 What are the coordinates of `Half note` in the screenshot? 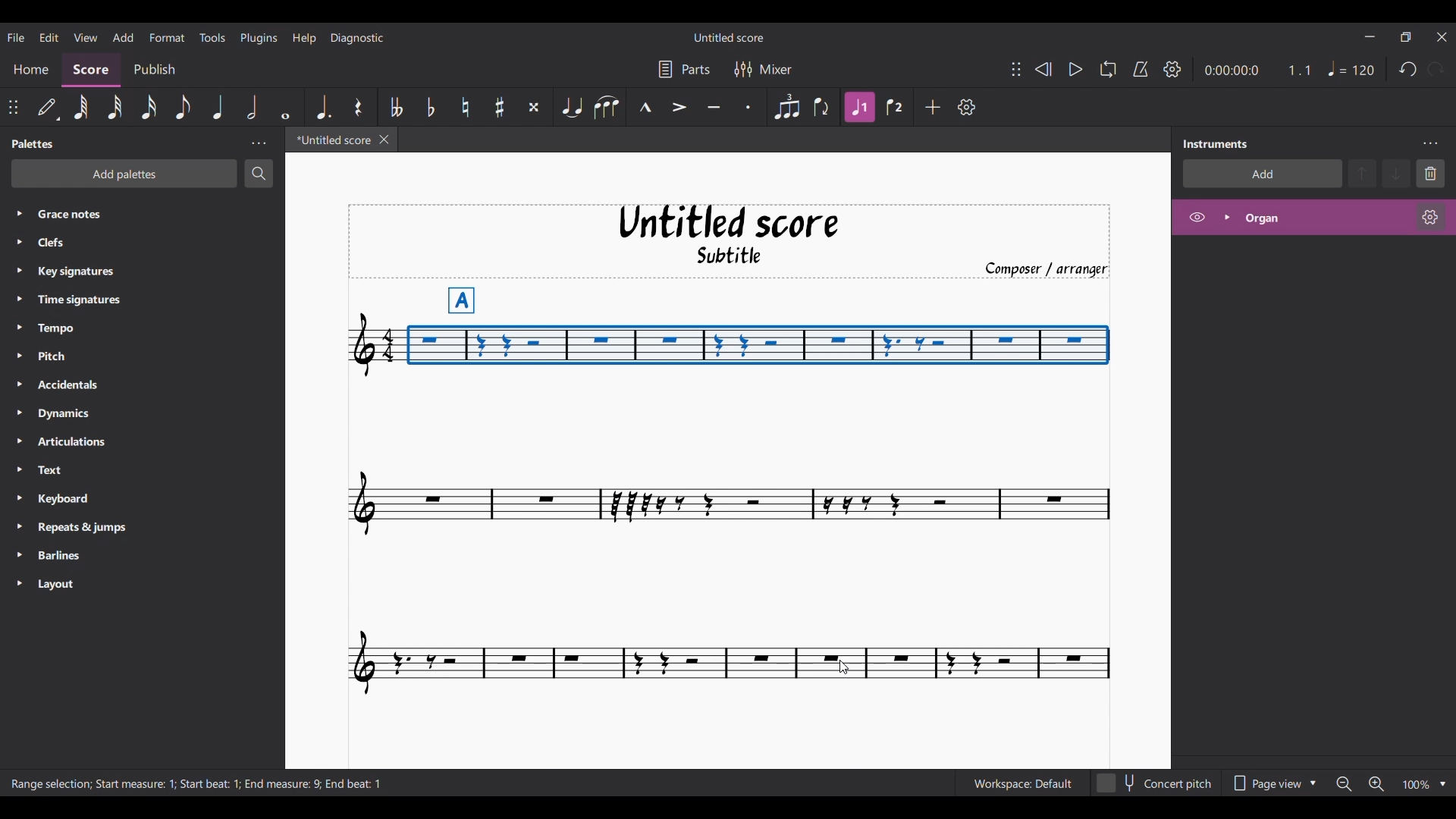 It's located at (251, 107).